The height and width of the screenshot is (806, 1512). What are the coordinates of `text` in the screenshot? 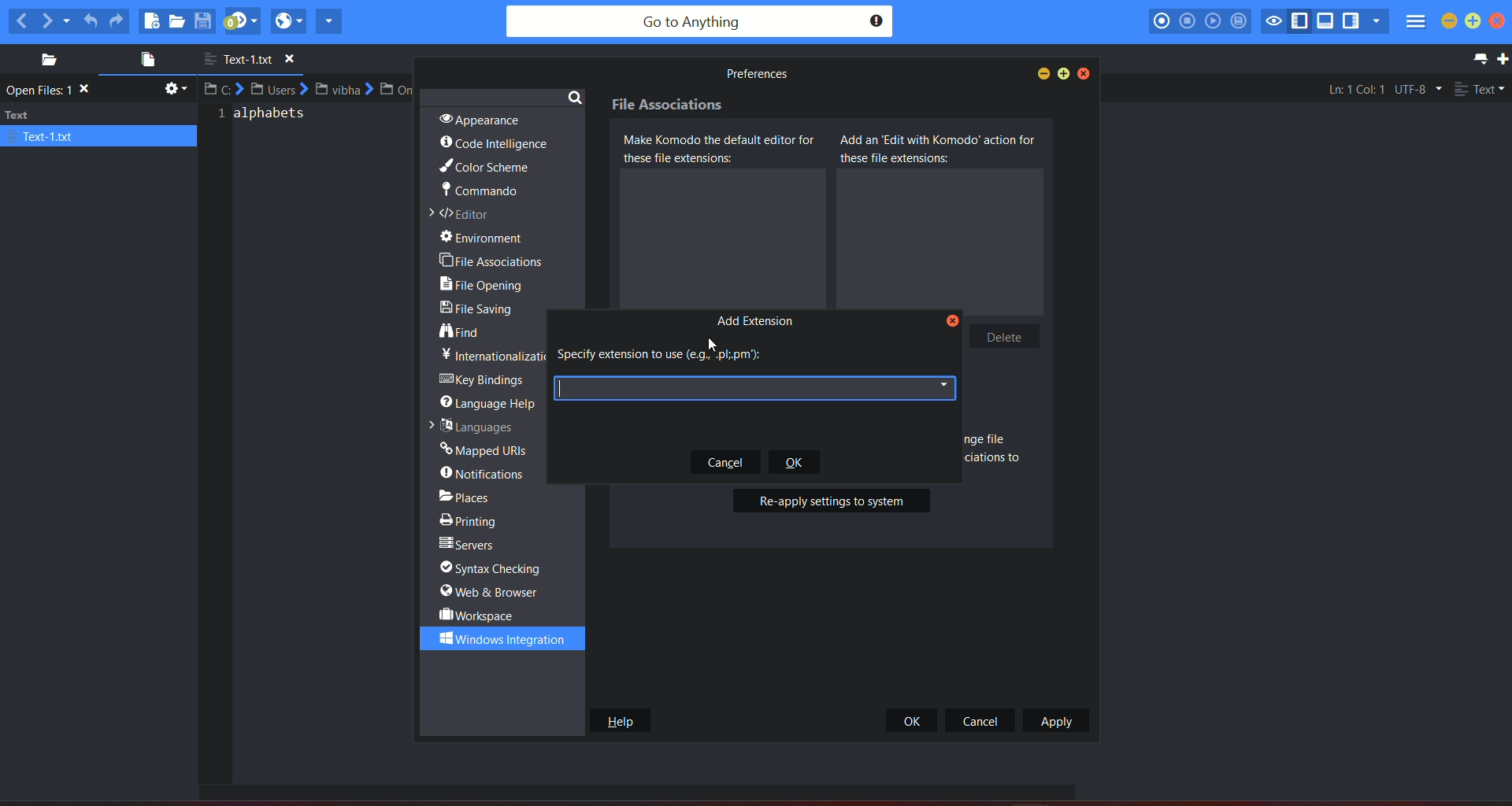 It's located at (669, 355).